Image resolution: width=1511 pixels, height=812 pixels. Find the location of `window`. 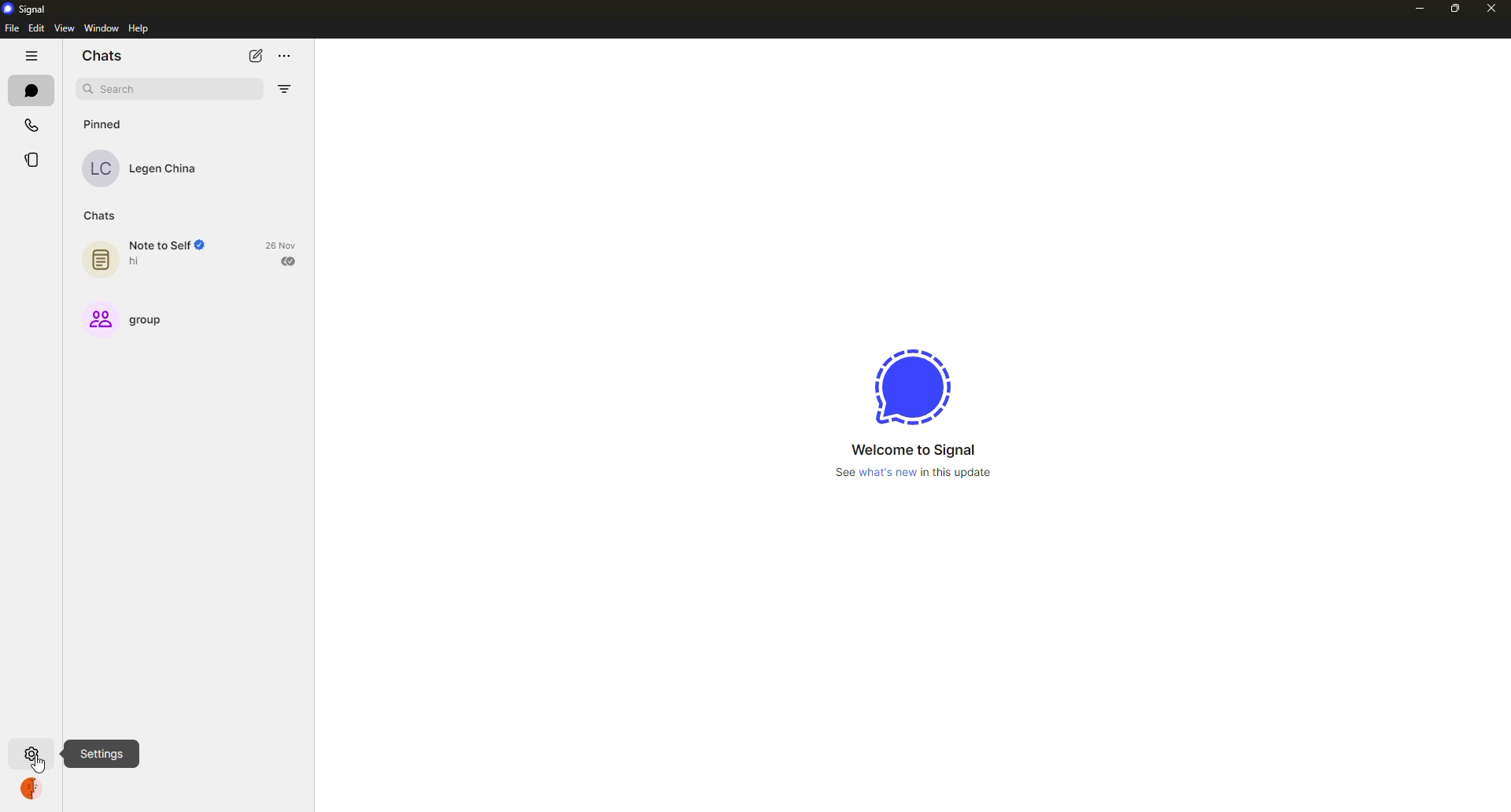

window is located at coordinates (104, 28).